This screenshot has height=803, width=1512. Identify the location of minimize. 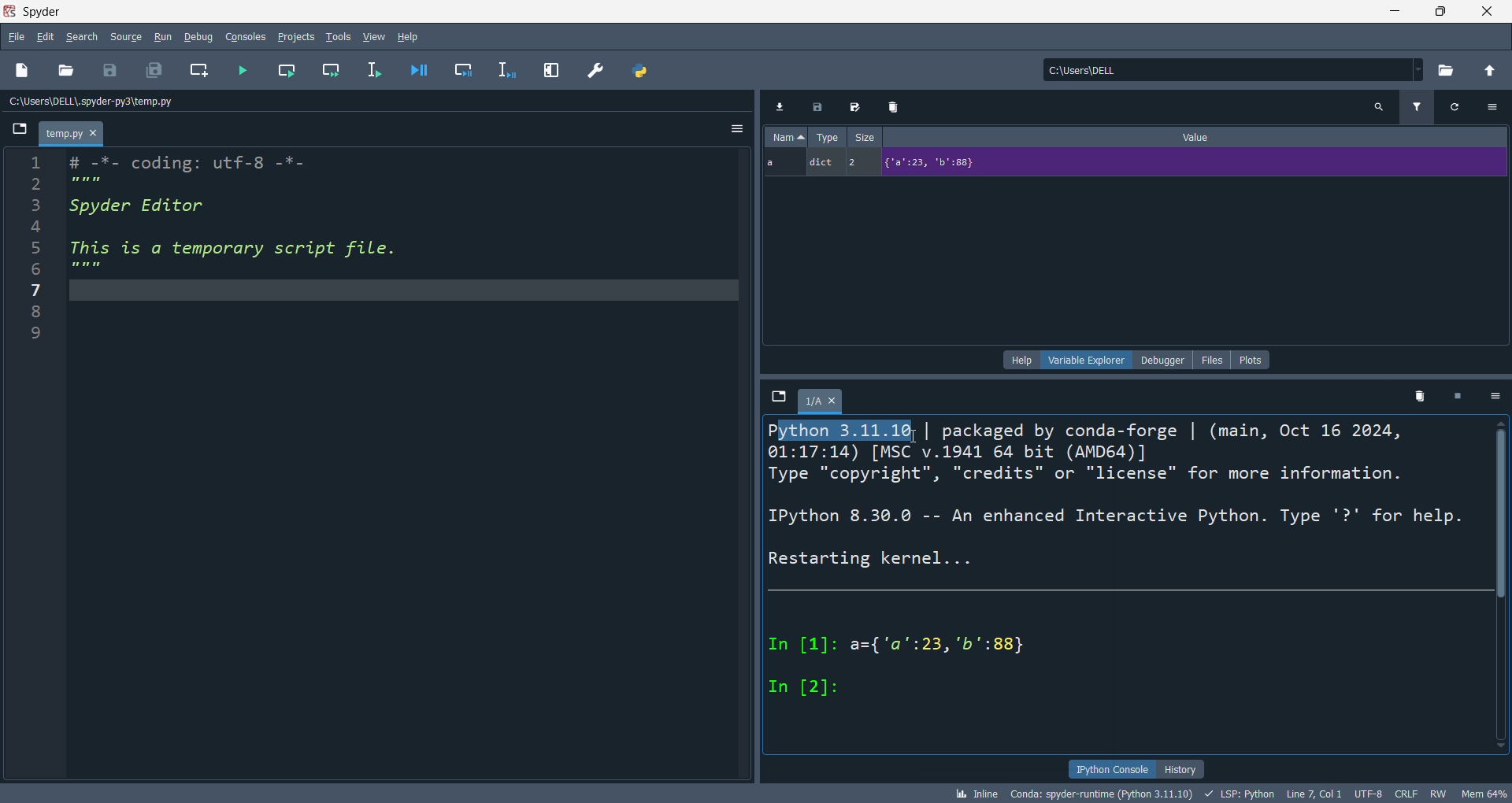
(1386, 12).